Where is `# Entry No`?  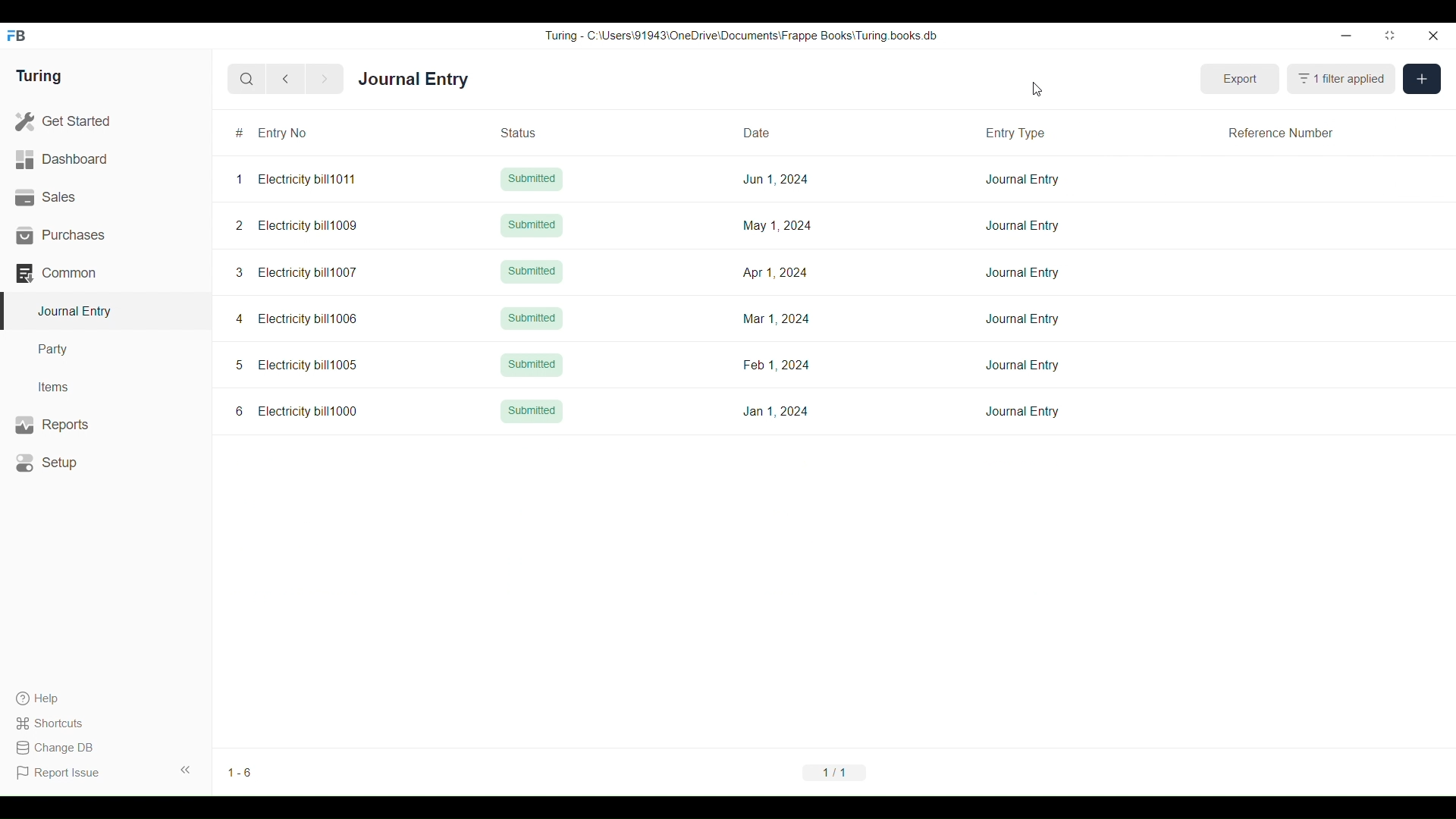 # Entry No is located at coordinates (303, 133).